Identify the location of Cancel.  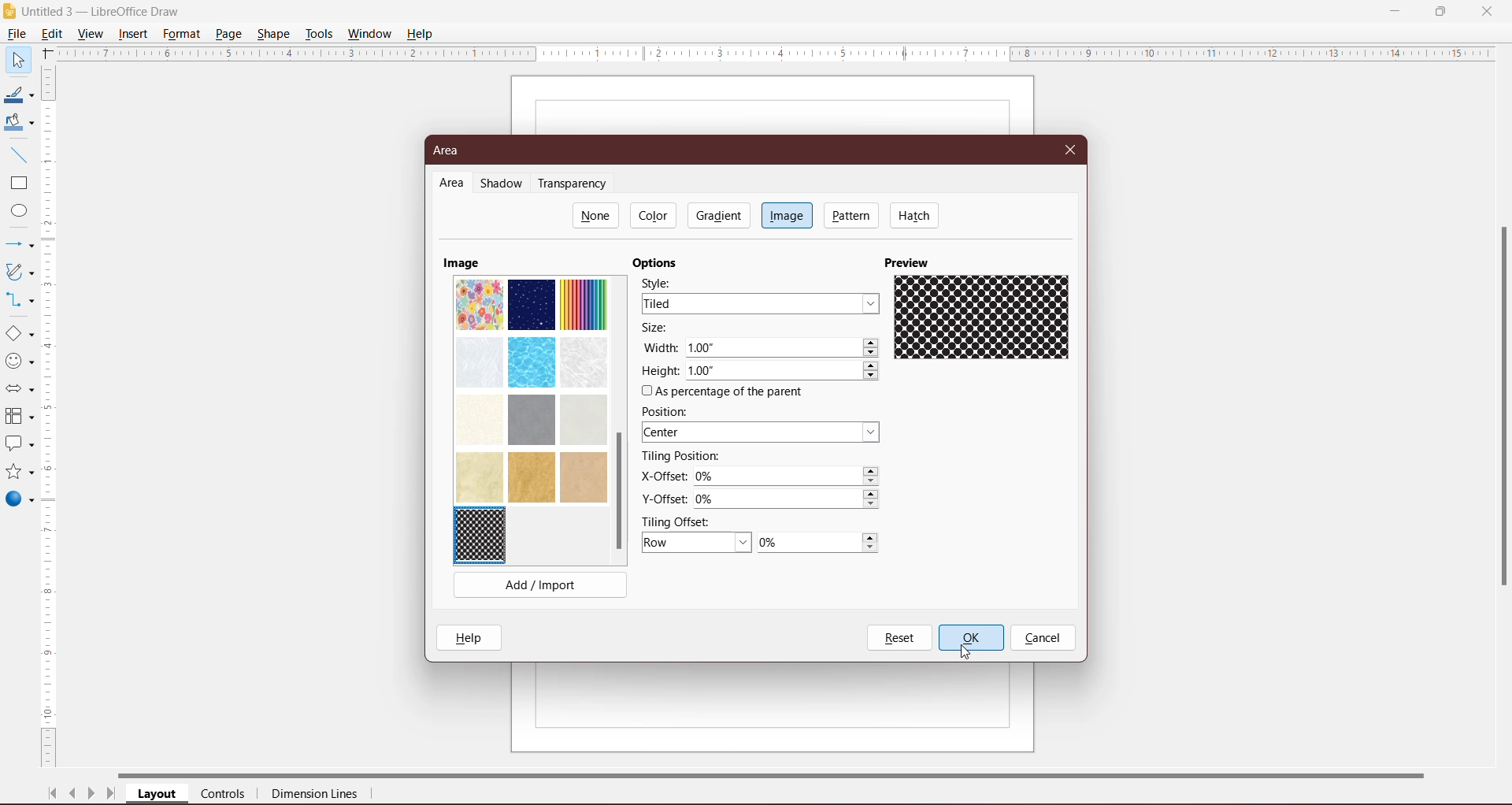
(1043, 639).